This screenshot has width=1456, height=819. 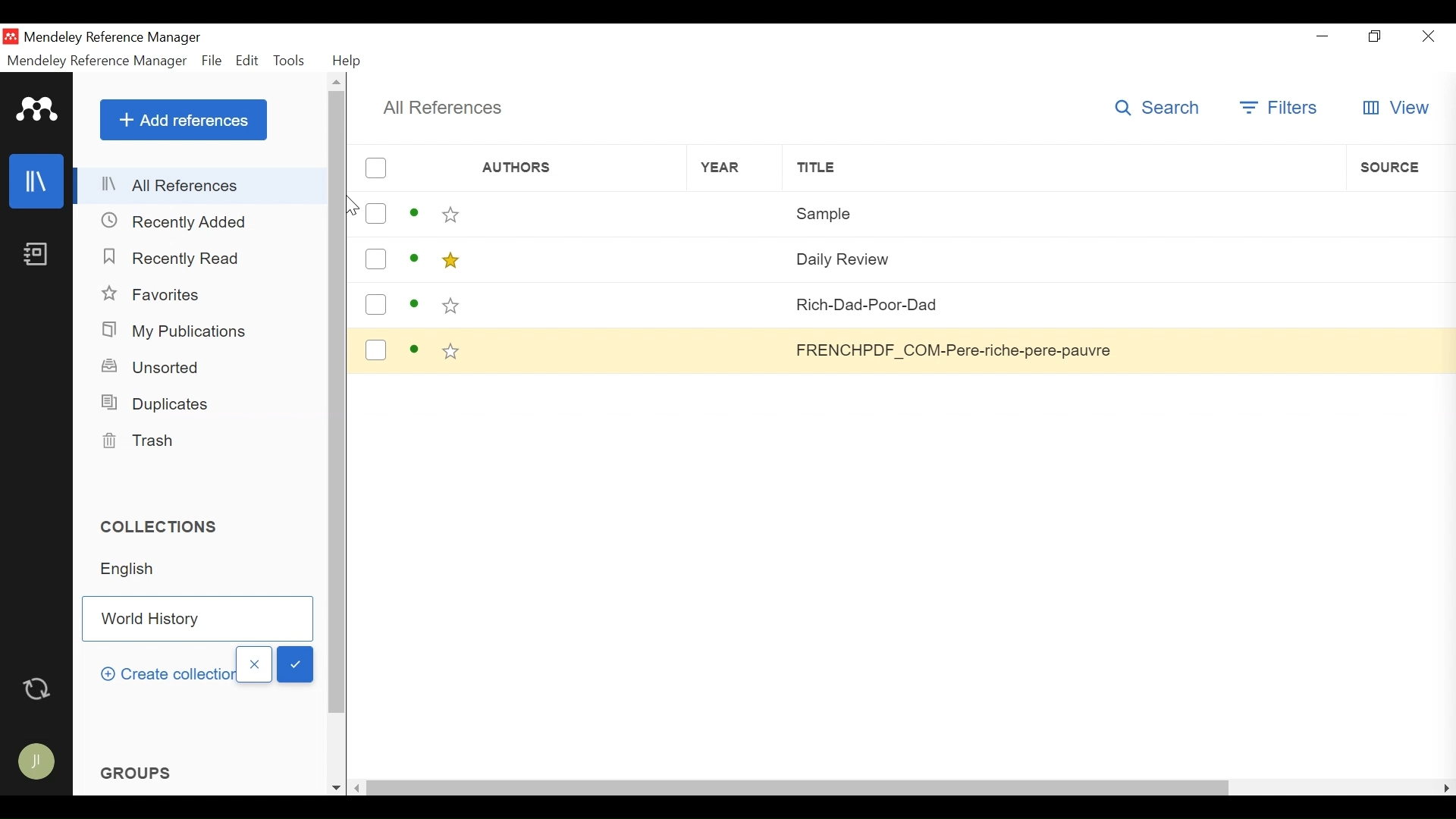 What do you see at coordinates (360, 787) in the screenshot?
I see `Scroll left` at bounding box center [360, 787].